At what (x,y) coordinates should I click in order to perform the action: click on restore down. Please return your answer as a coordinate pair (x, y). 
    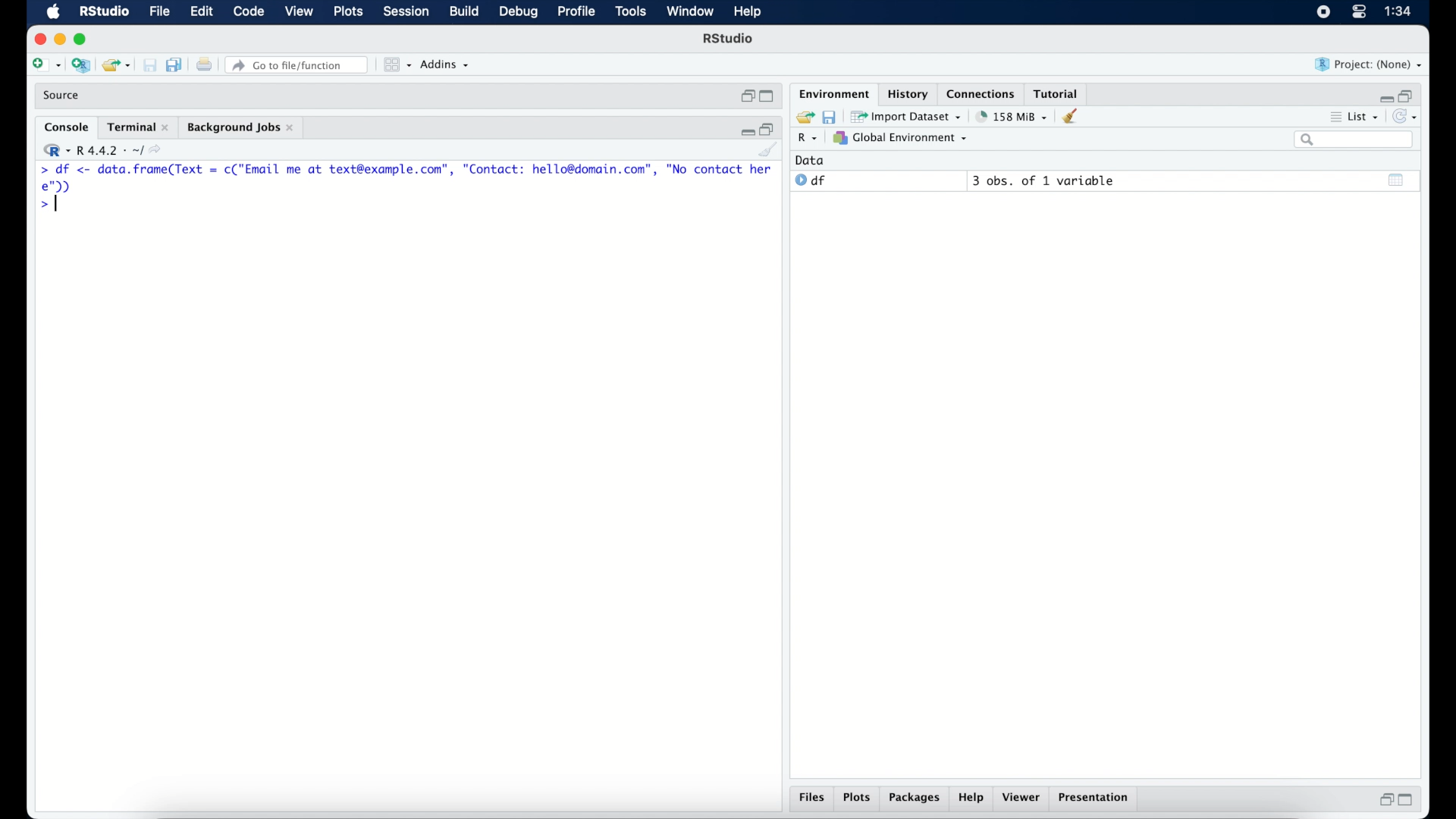
    Looking at the image, I should click on (770, 129).